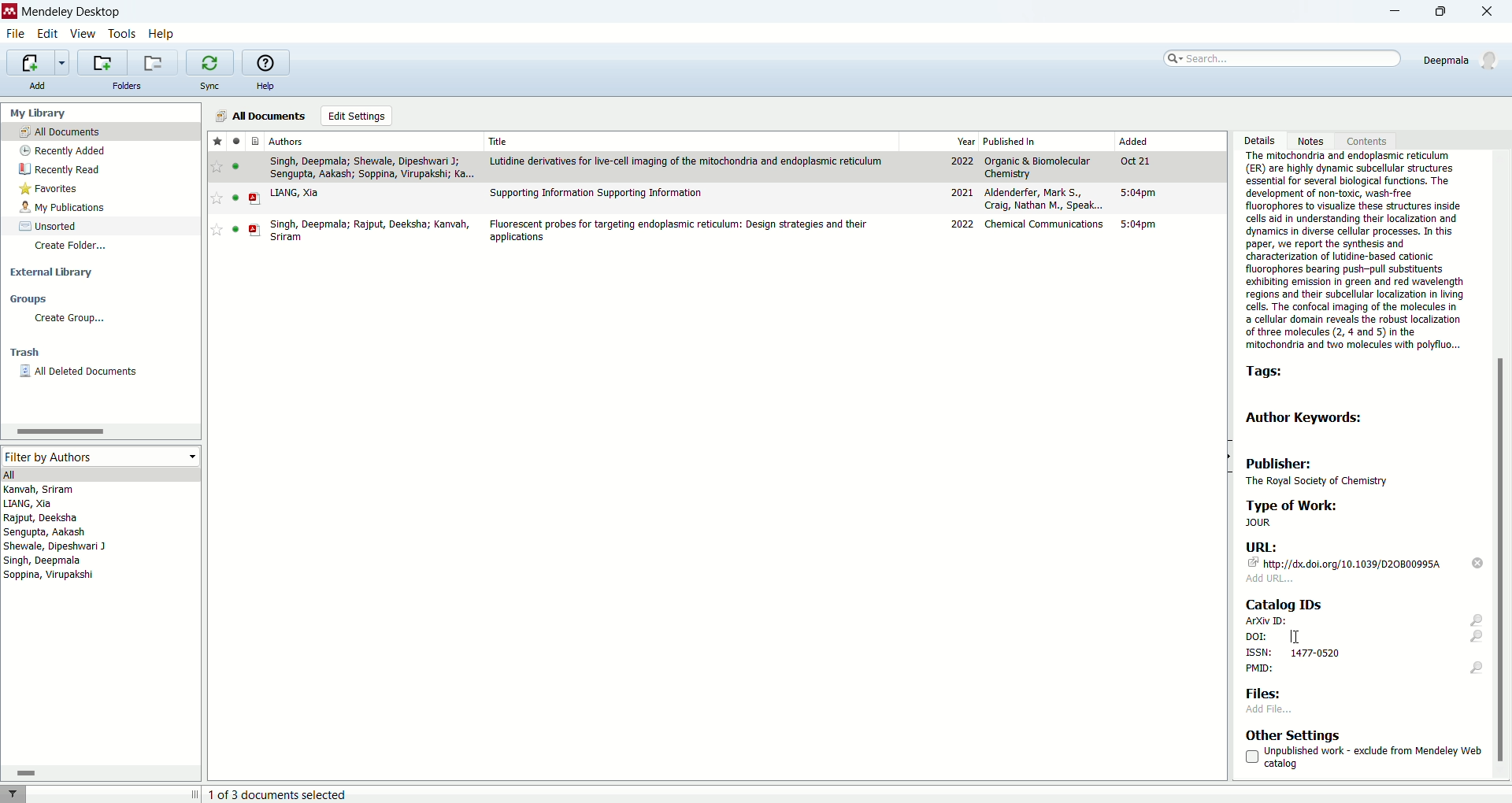 This screenshot has width=1512, height=803. I want to click on horizontal scroll bar, so click(99, 431).